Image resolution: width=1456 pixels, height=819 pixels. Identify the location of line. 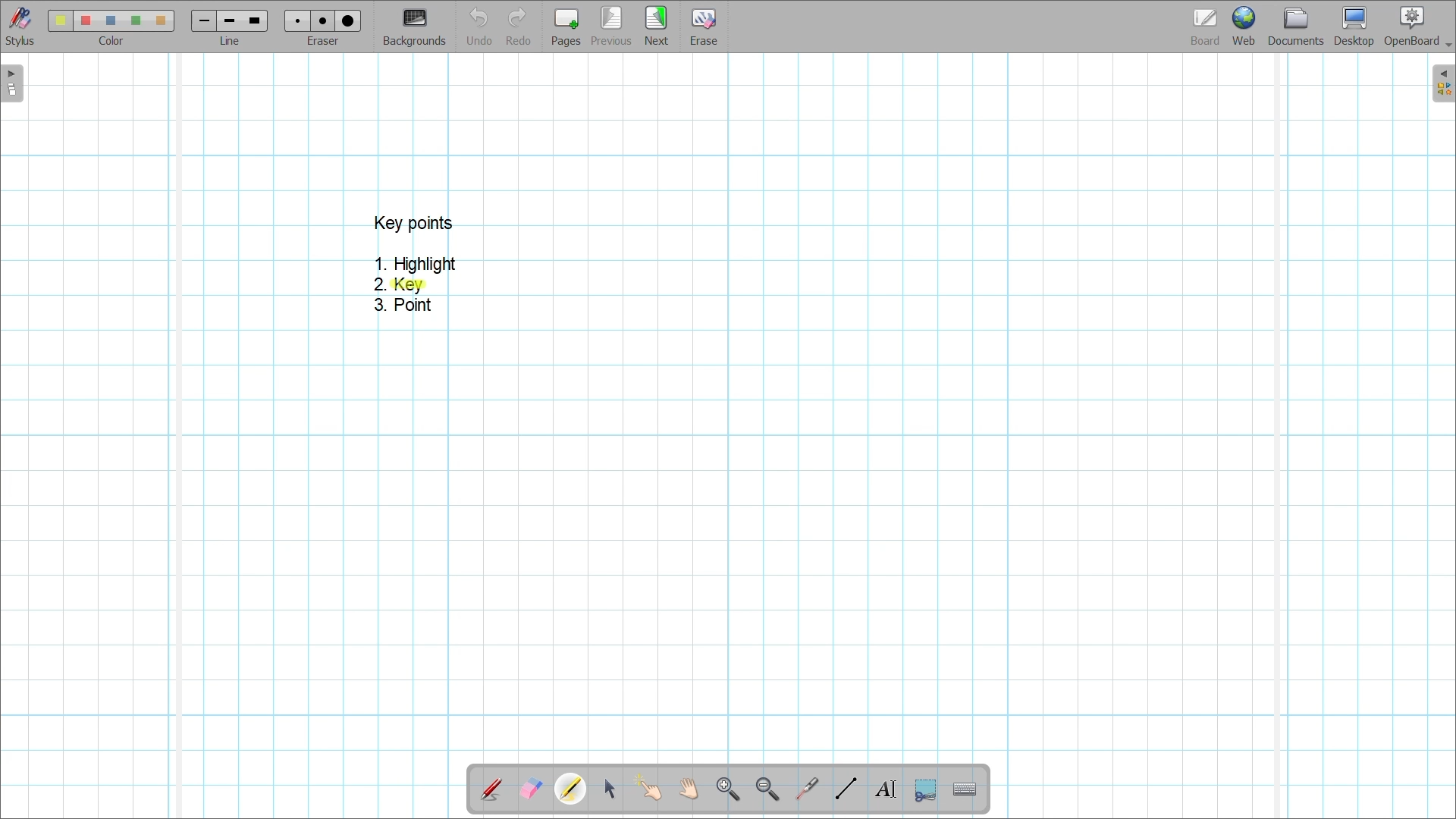
(234, 42).